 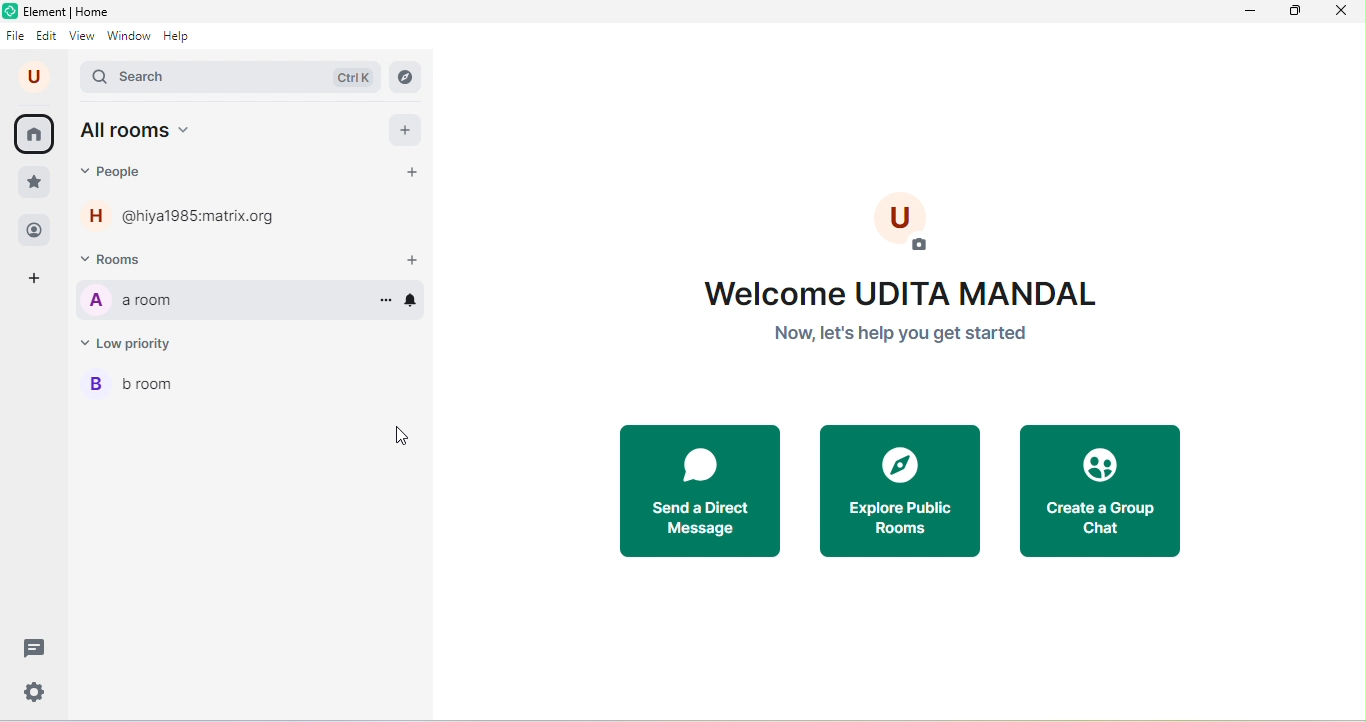 What do you see at coordinates (901, 491) in the screenshot?
I see `explore public rooms` at bounding box center [901, 491].